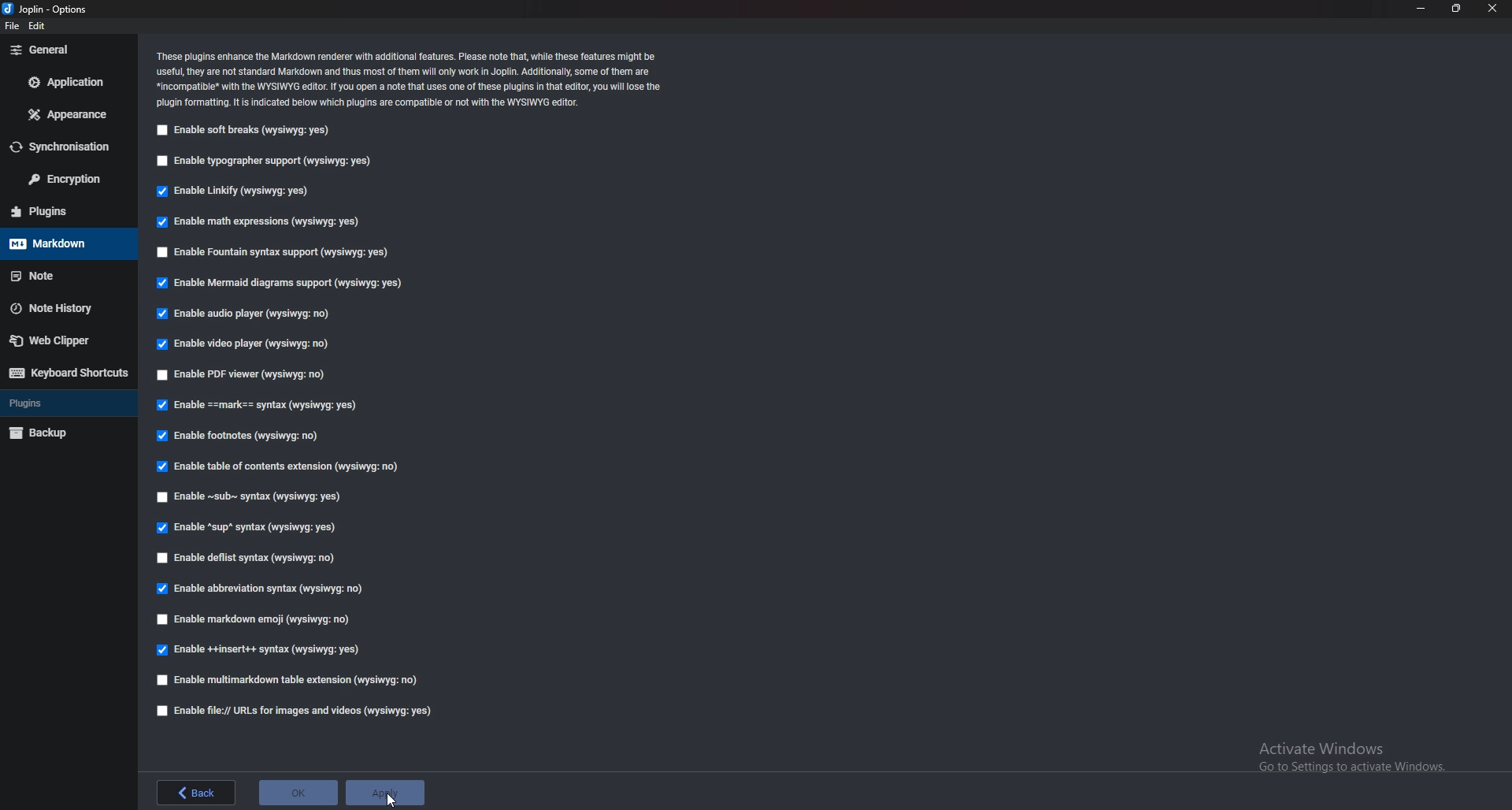 Image resolution: width=1512 pixels, height=810 pixels. Describe the element at coordinates (251, 497) in the screenshot. I see `enable sub syntax` at that location.